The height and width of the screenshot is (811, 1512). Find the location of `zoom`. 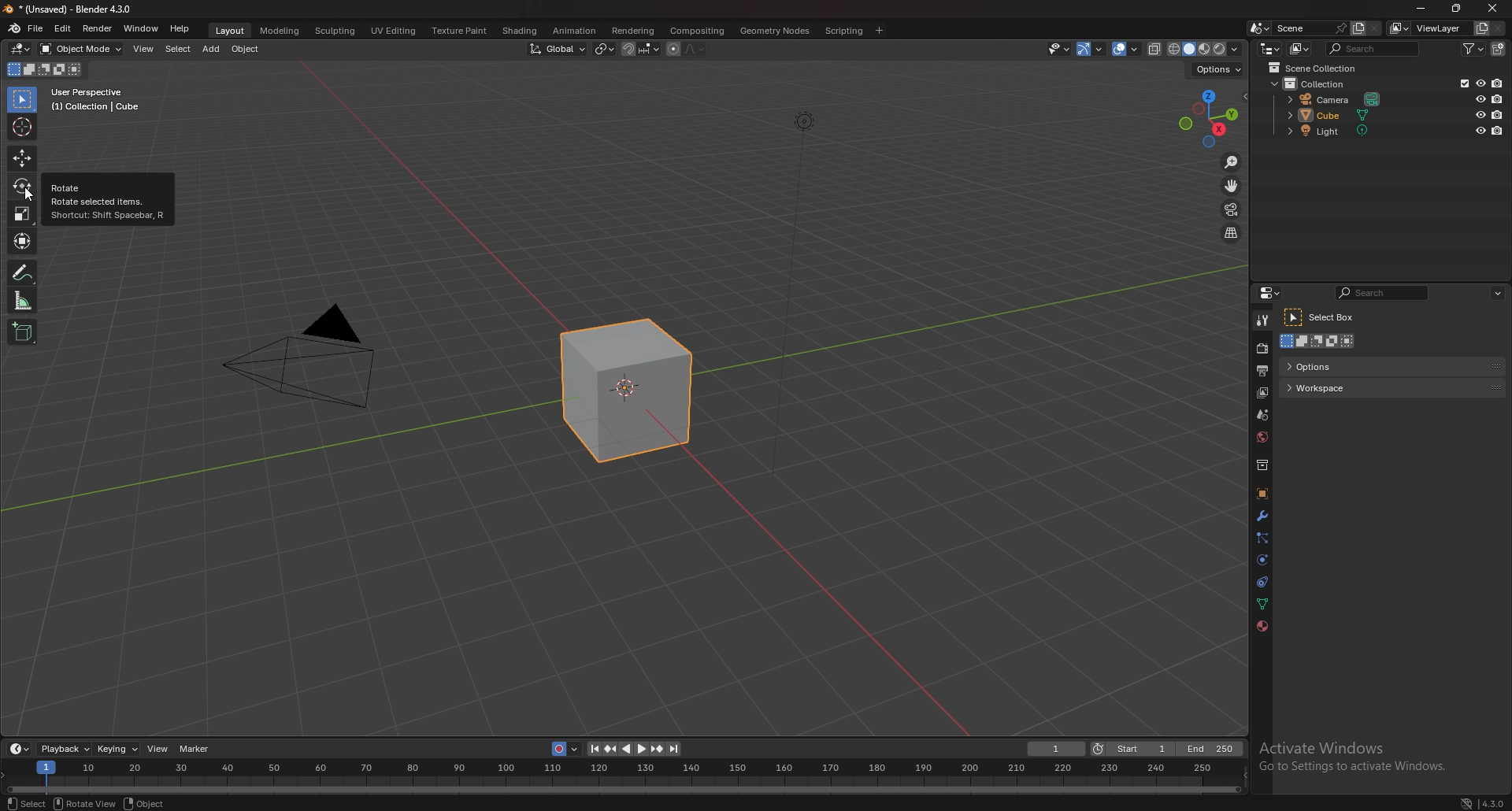

zoom is located at coordinates (1232, 162).